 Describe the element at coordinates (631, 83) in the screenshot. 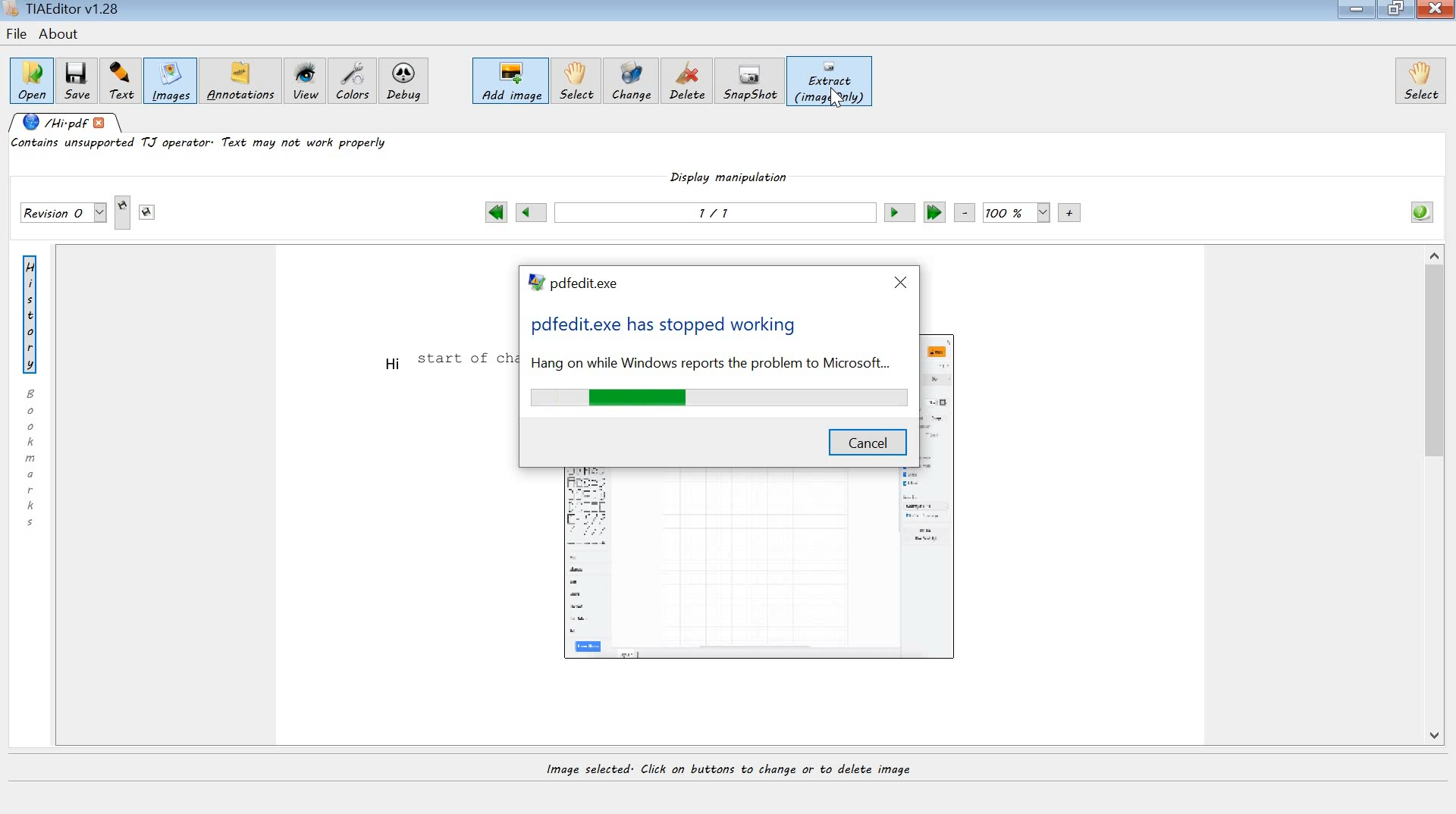

I see `change` at that location.